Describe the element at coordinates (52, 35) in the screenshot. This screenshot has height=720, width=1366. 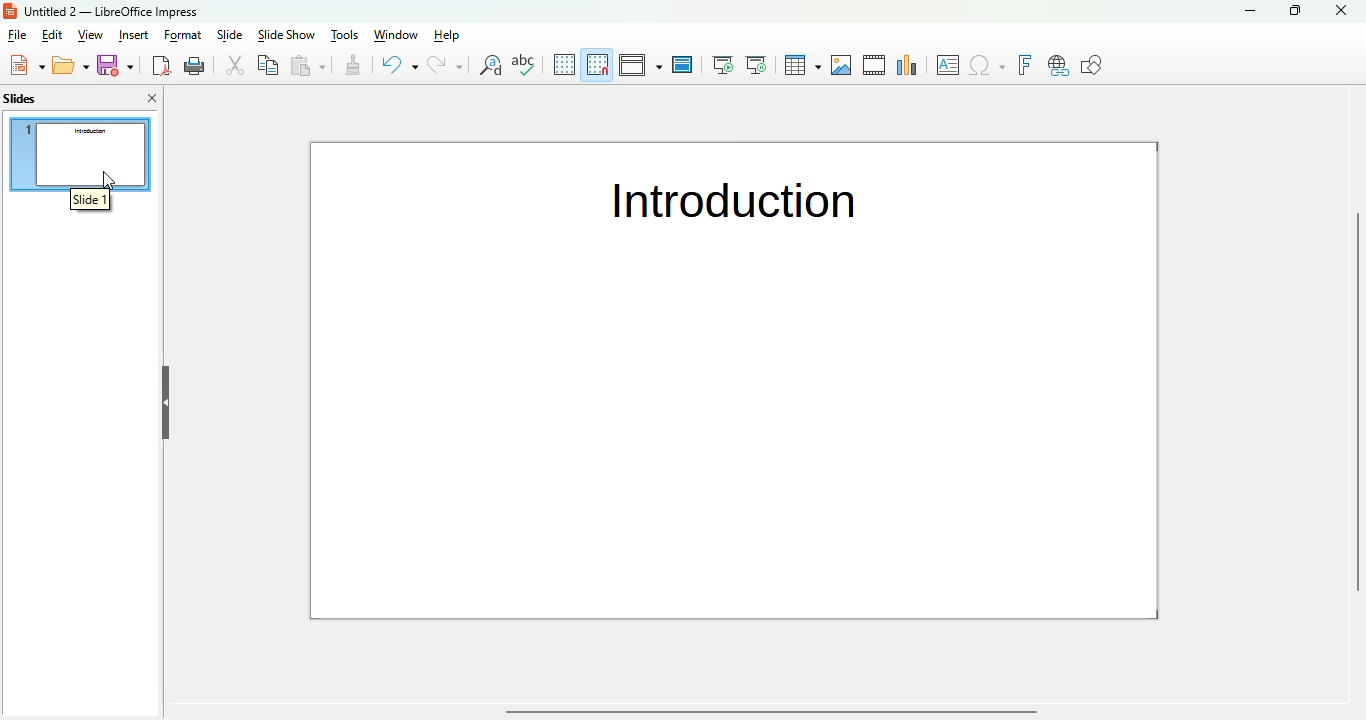
I see `edit` at that location.